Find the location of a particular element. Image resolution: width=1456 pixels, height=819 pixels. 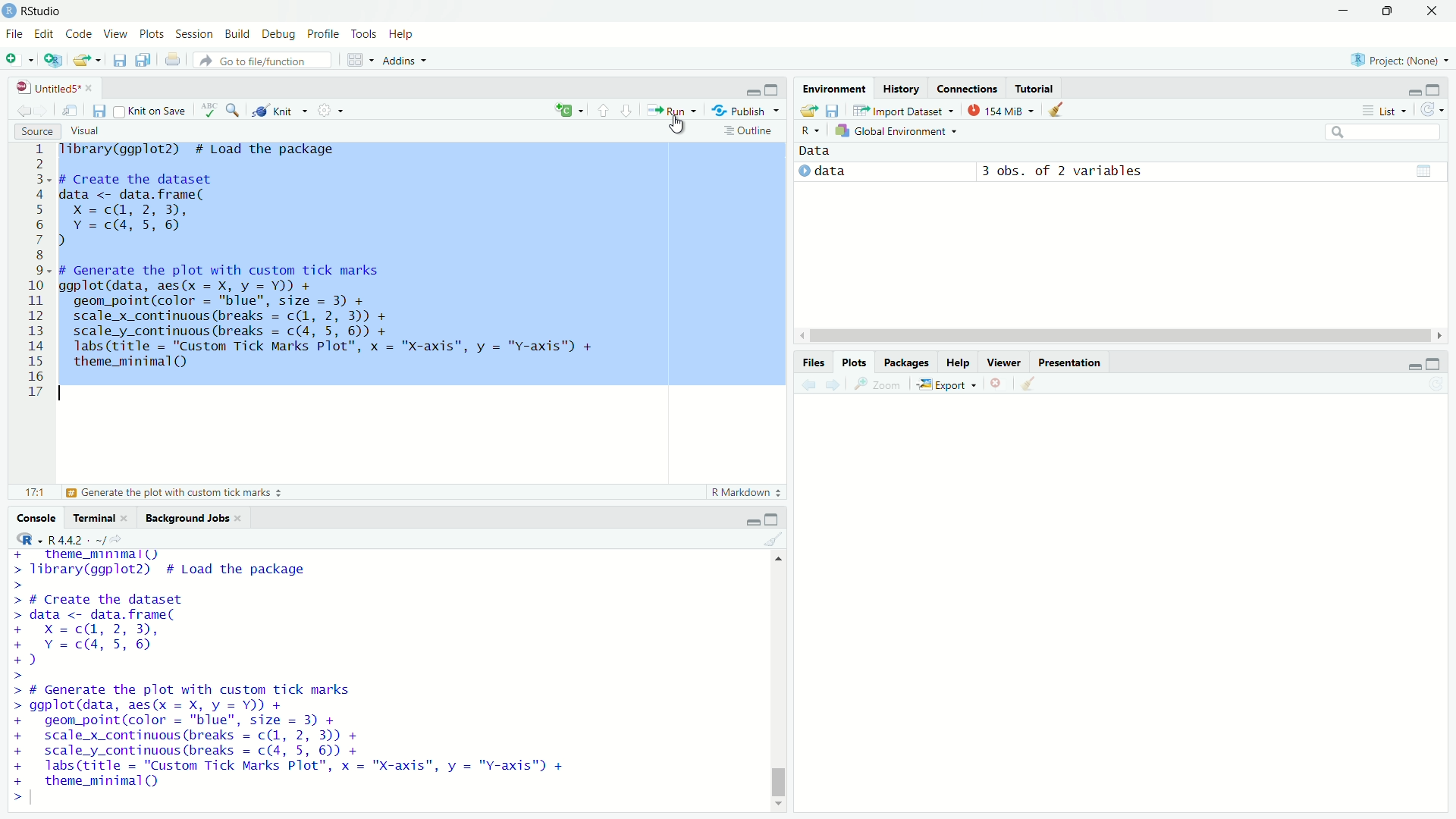

data is located at coordinates (827, 151).